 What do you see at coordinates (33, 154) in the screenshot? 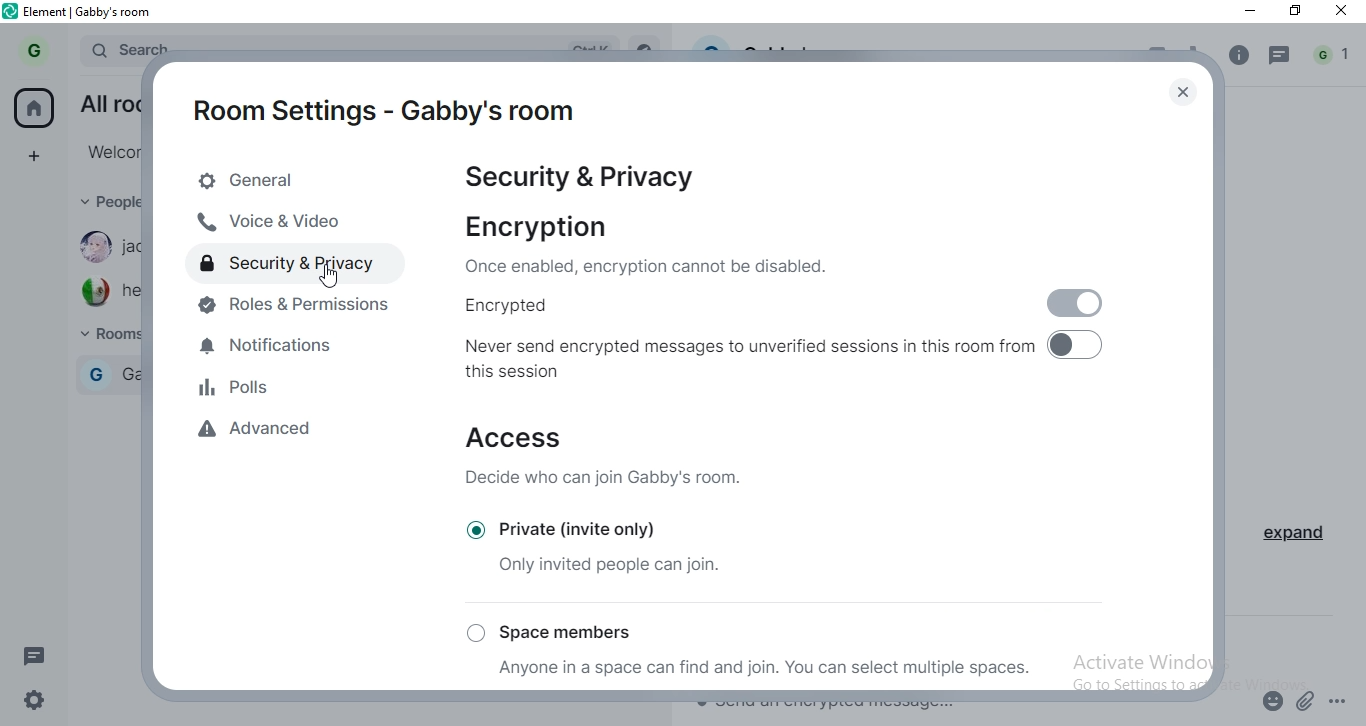
I see `add spaces` at bounding box center [33, 154].